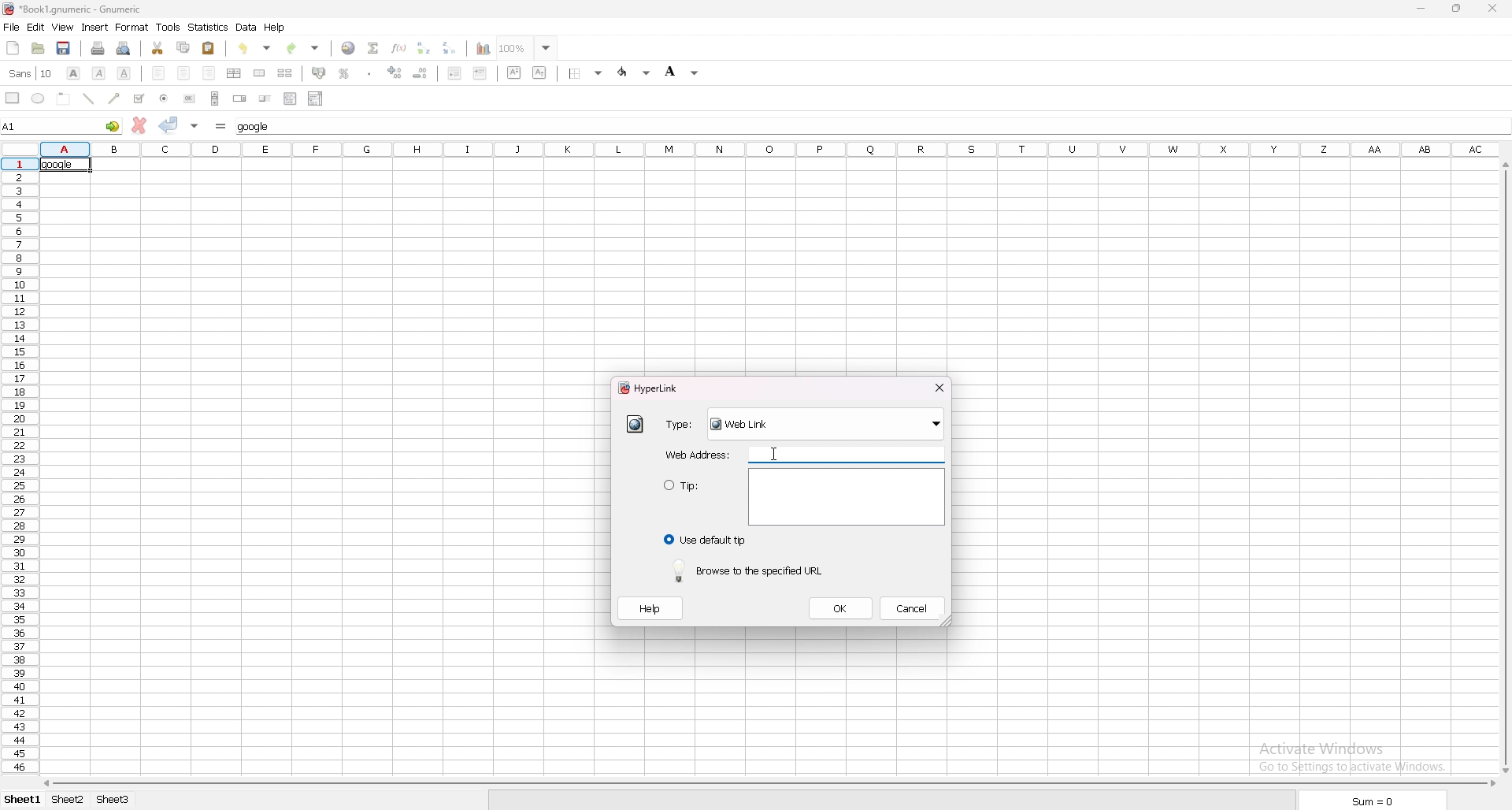  What do you see at coordinates (209, 28) in the screenshot?
I see `statistics` at bounding box center [209, 28].